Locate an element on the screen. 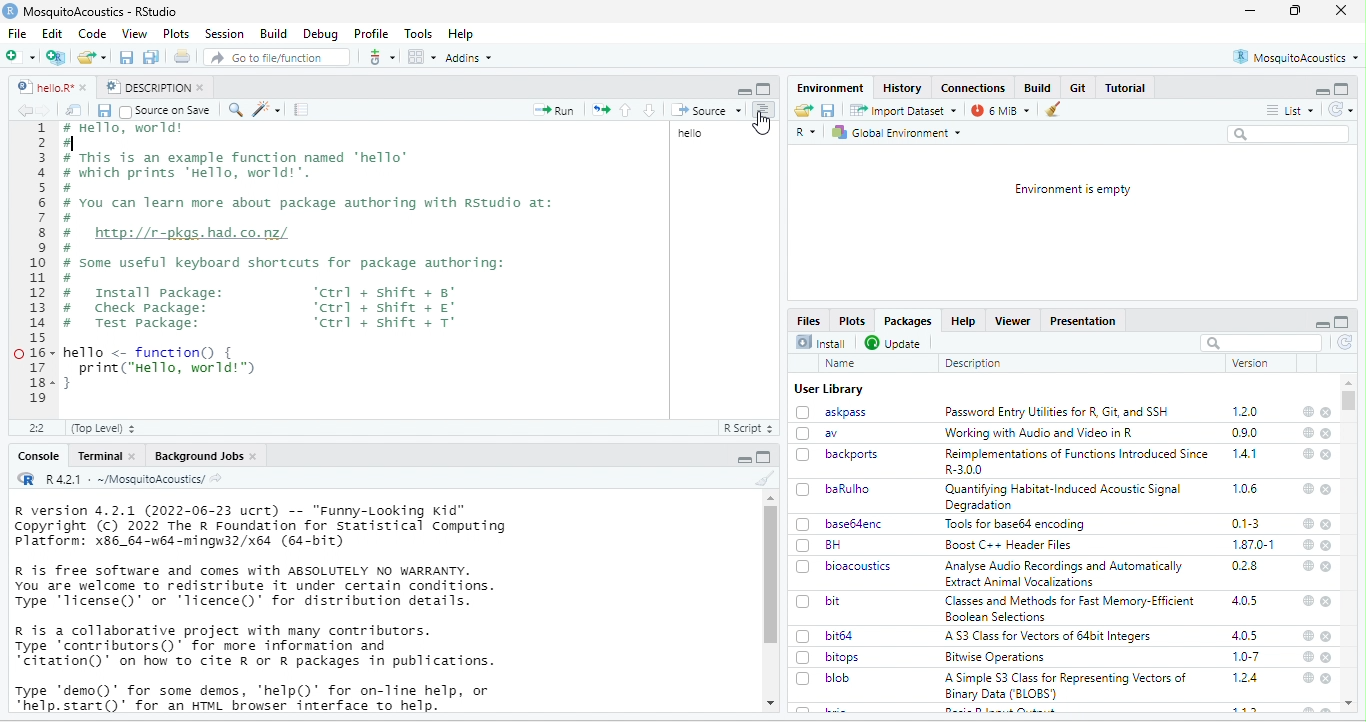  R is located at coordinates (806, 134).